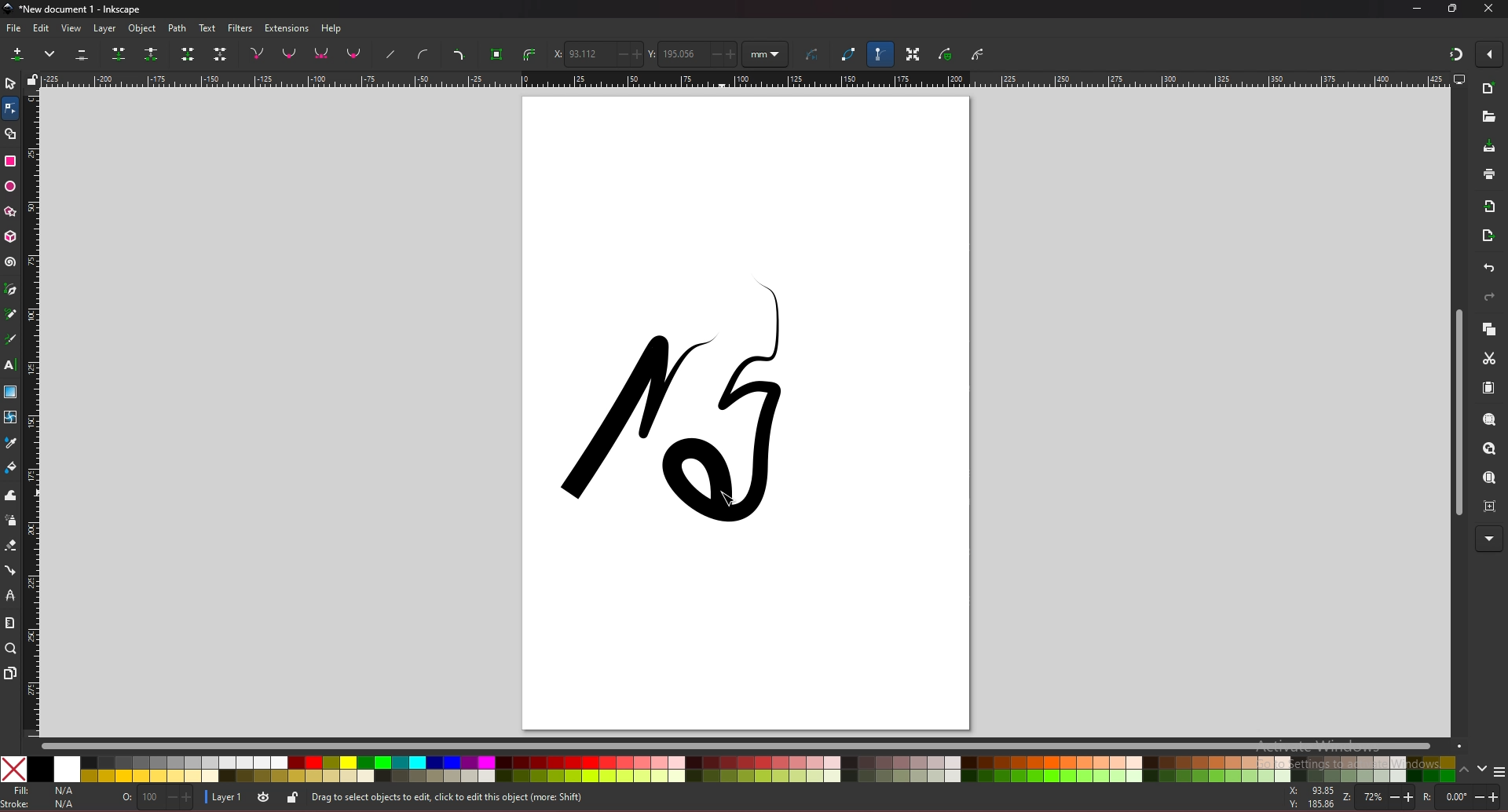  What do you see at coordinates (535, 796) in the screenshot?
I see `info` at bounding box center [535, 796].